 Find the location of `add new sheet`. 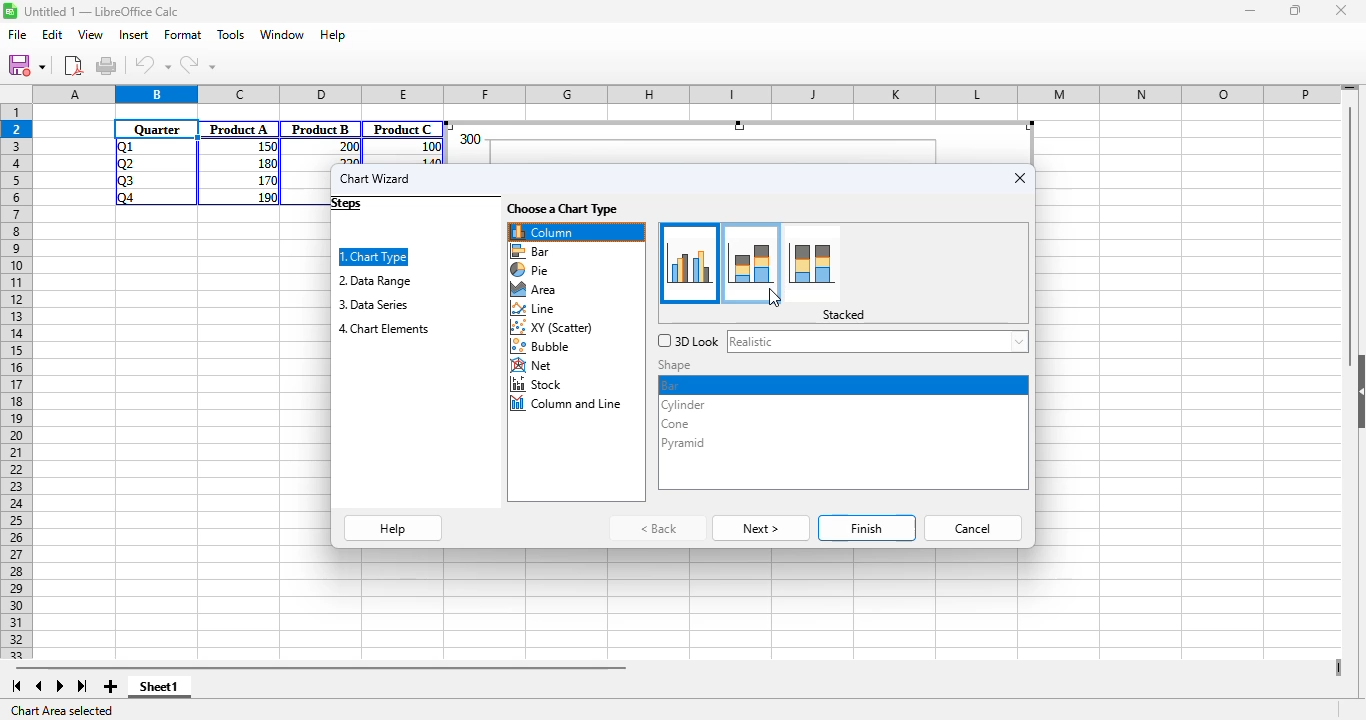

add new sheet is located at coordinates (108, 686).